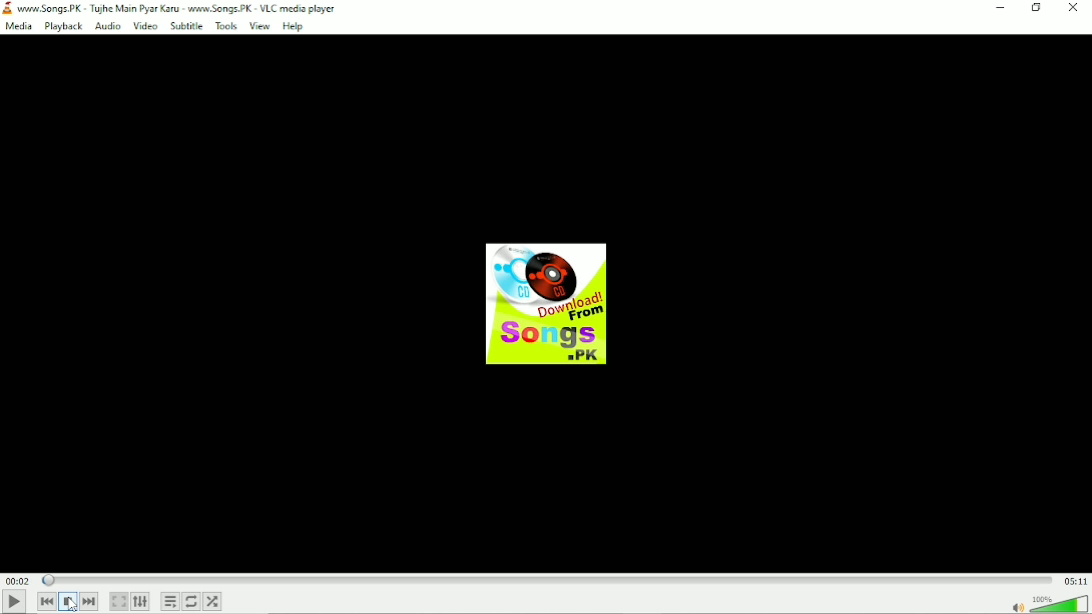  What do you see at coordinates (169, 601) in the screenshot?
I see `Toggle playlist` at bounding box center [169, 601].